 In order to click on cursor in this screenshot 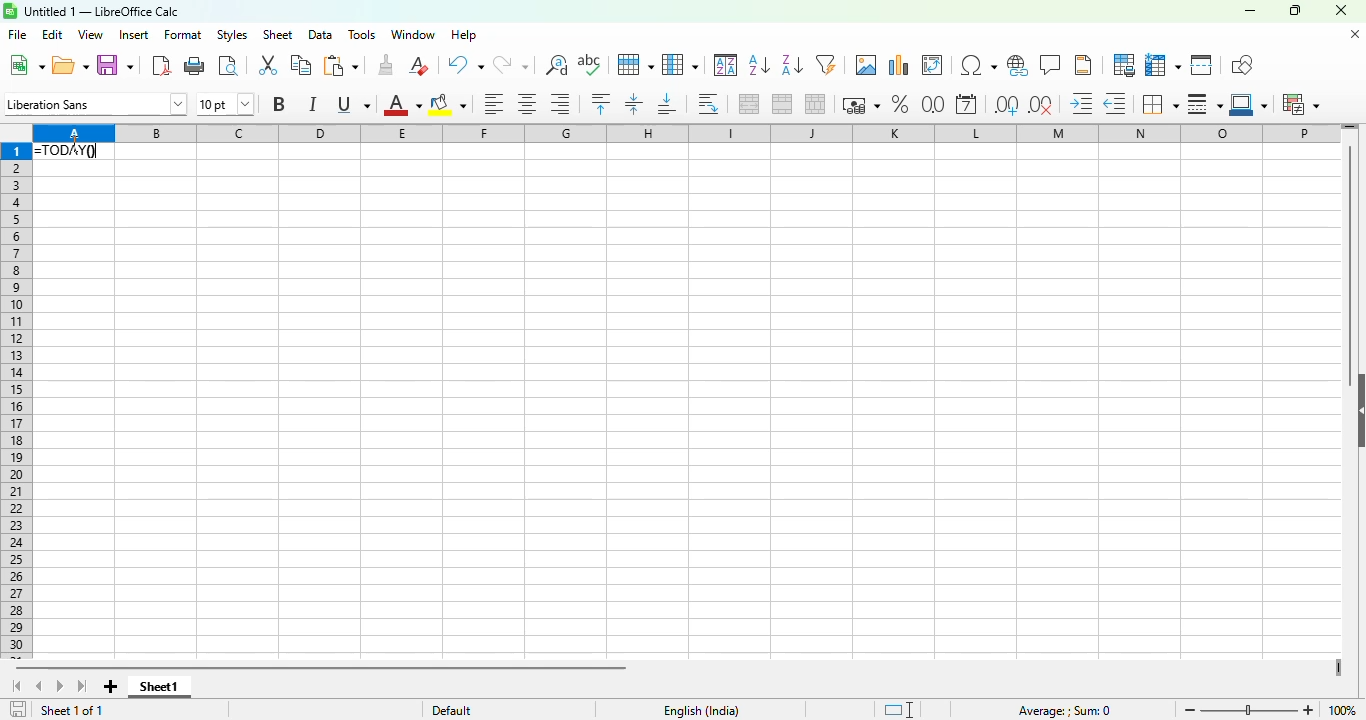, I will do `click(75, 142)`.